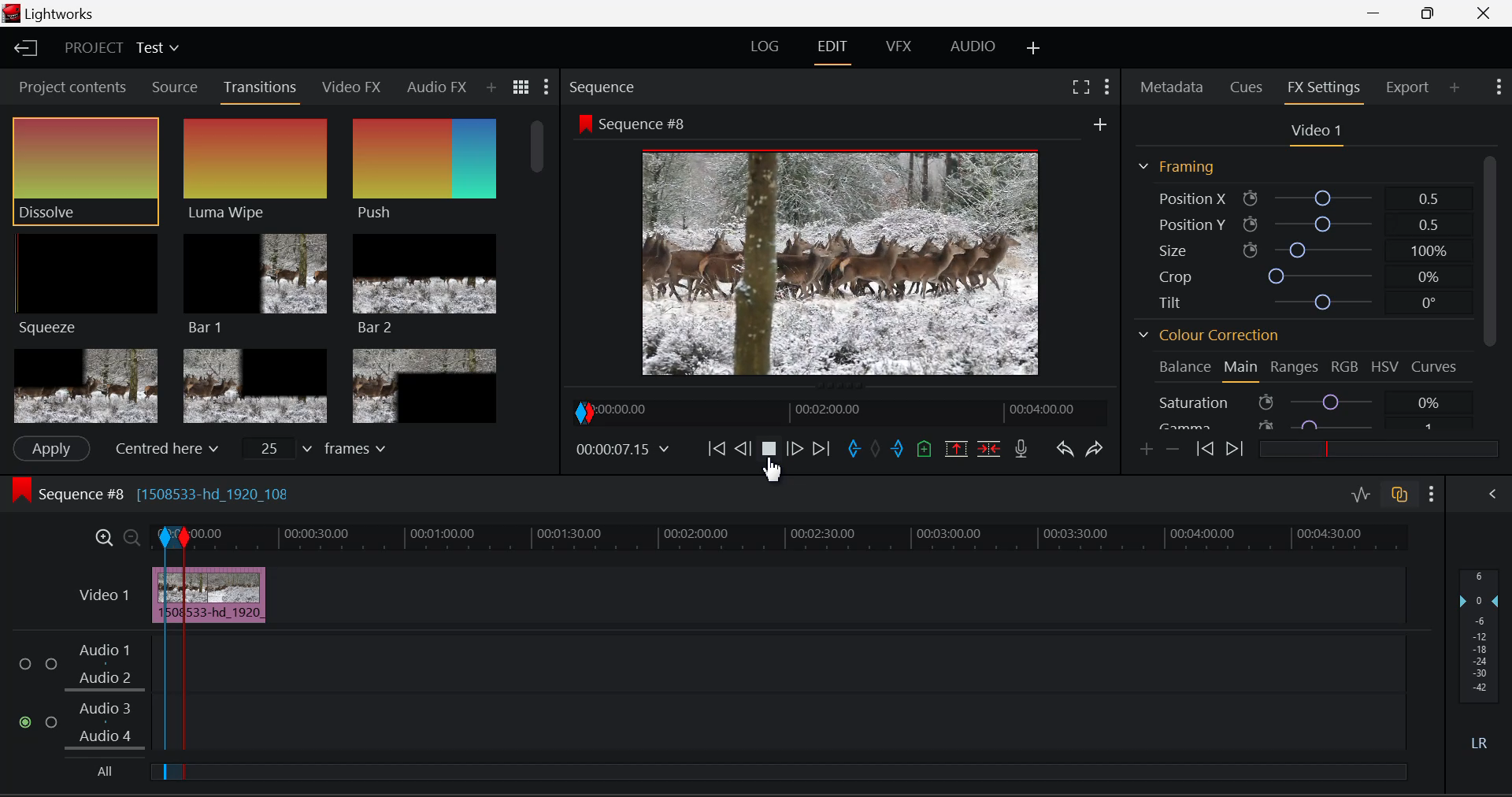 This screenshot has width=1512, height=797. I want to click on Source, so click(176, 87).